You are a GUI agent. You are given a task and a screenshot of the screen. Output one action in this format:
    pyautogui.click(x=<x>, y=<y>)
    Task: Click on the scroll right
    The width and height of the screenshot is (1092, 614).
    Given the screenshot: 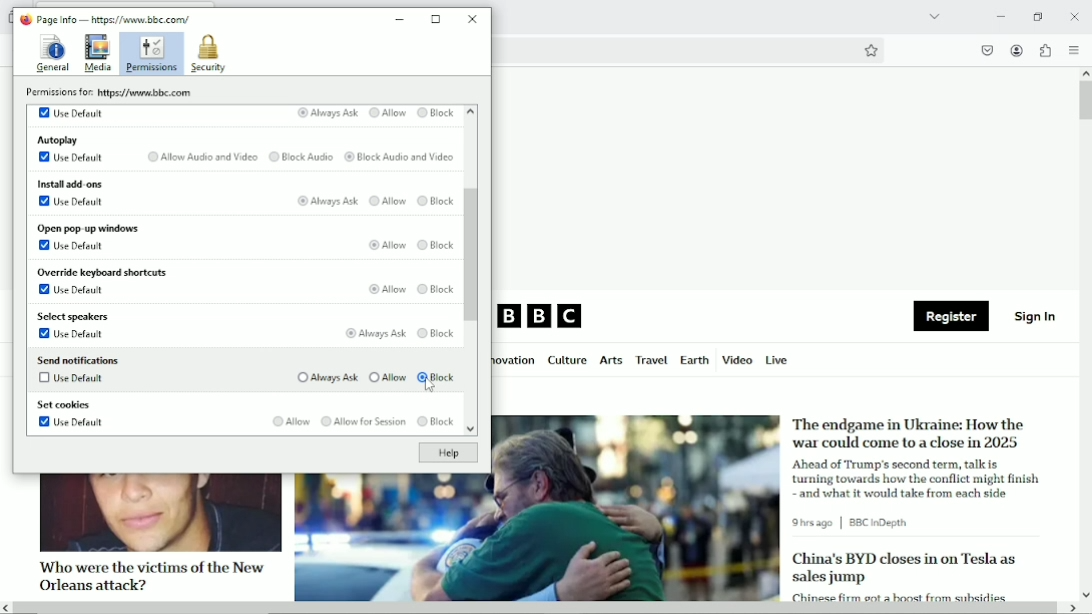 What is the action you would take?
    pyautogui.click(x=1071, y=608)
    